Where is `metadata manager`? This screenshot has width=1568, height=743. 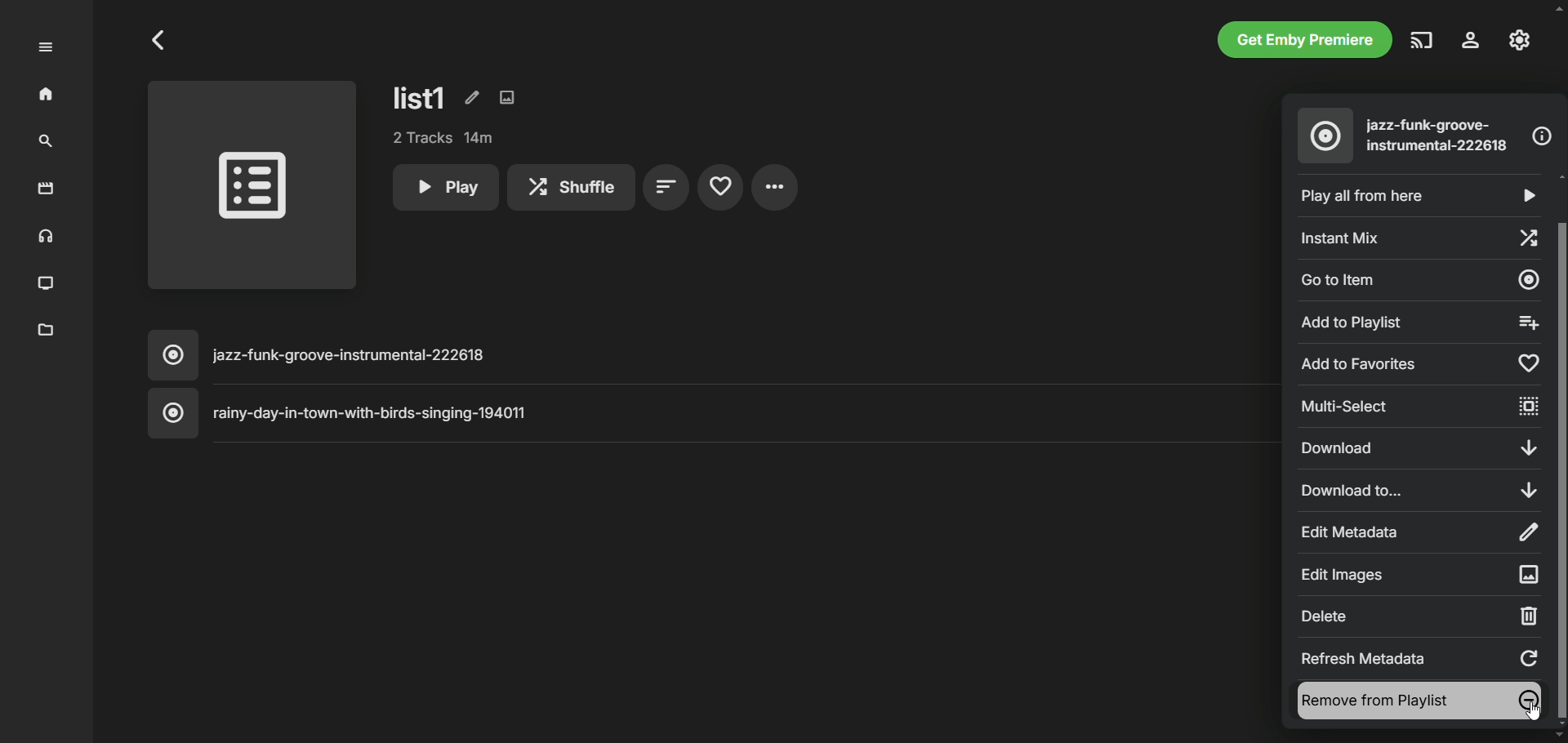 metadata manager is located at coordinates (47, 331).